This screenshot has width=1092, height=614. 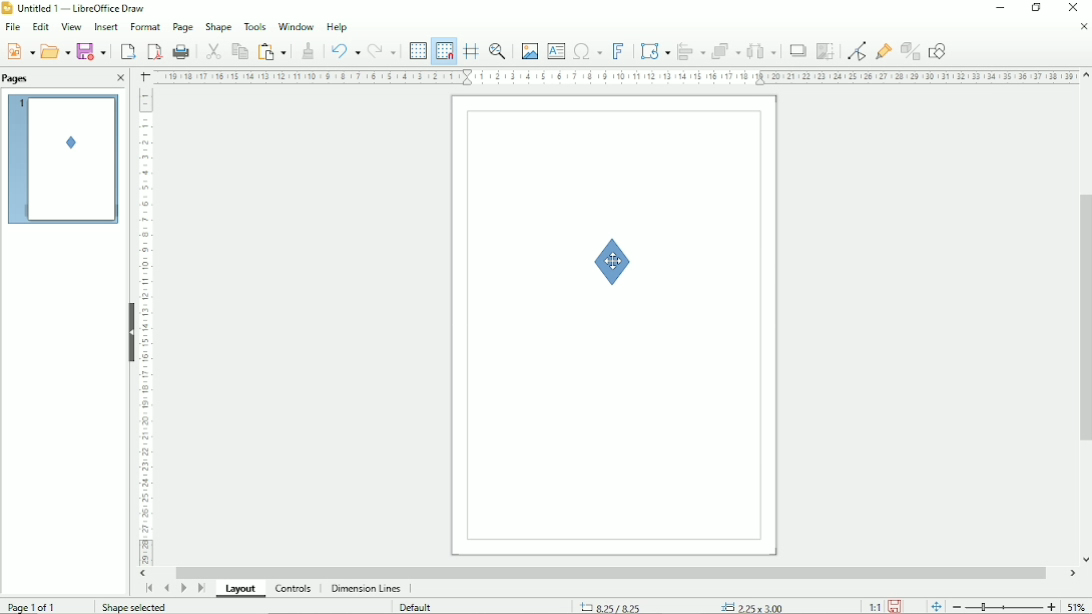 I want to click on Close, so click(x=1075, y=8).